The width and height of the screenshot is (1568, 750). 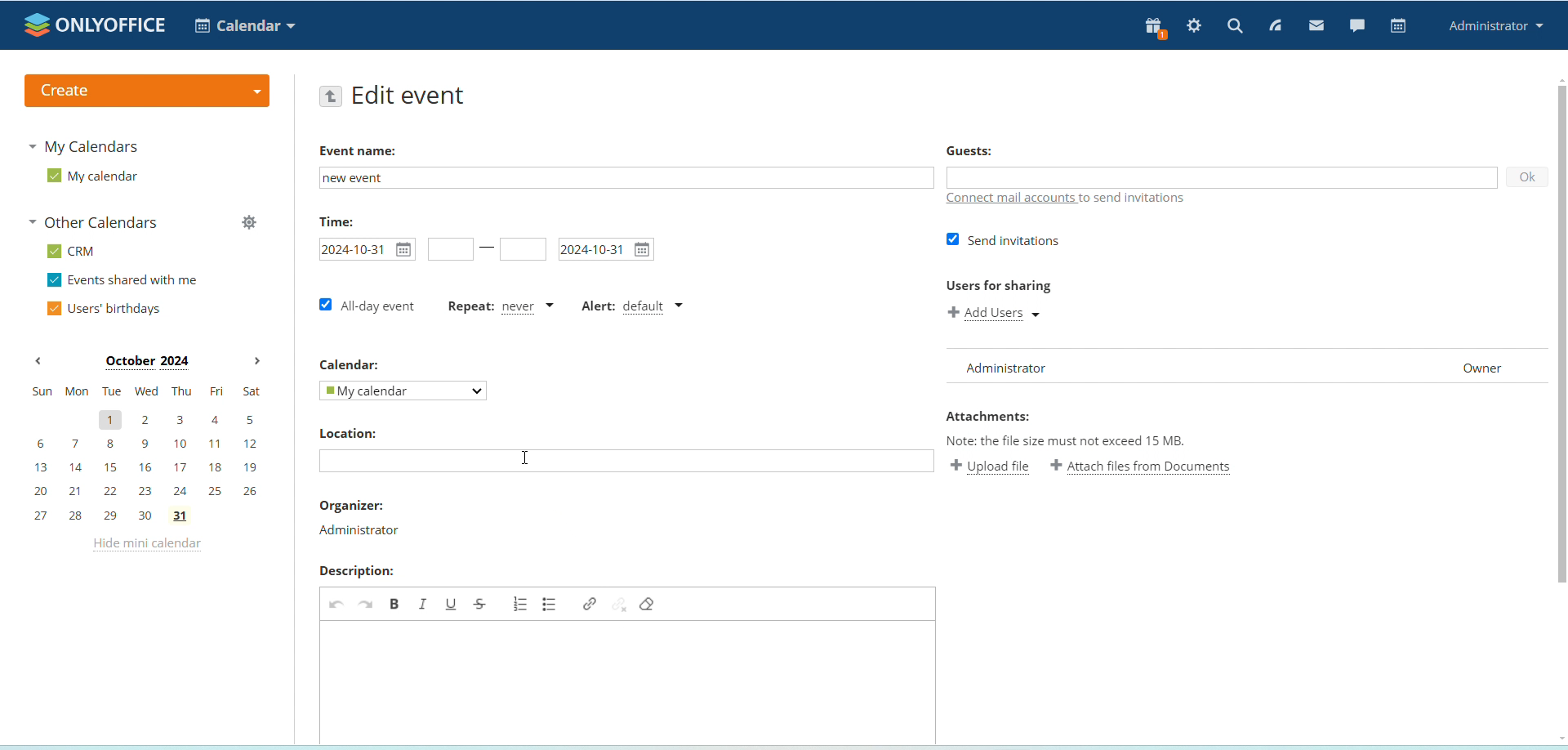 What do you see at coordinates (335, 603) in the screenshot?
I see `undo` at bounding box center [335, 603].